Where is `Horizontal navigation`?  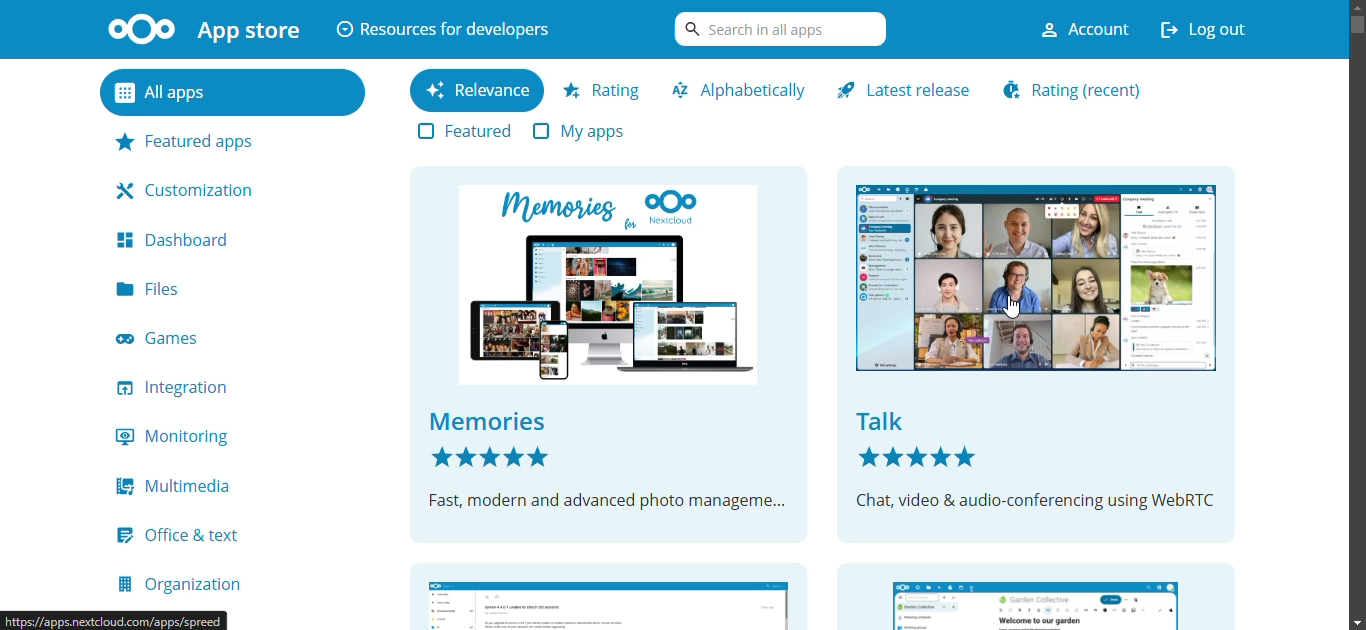
Horizontal navigation is located at coordinates (1357, 50).